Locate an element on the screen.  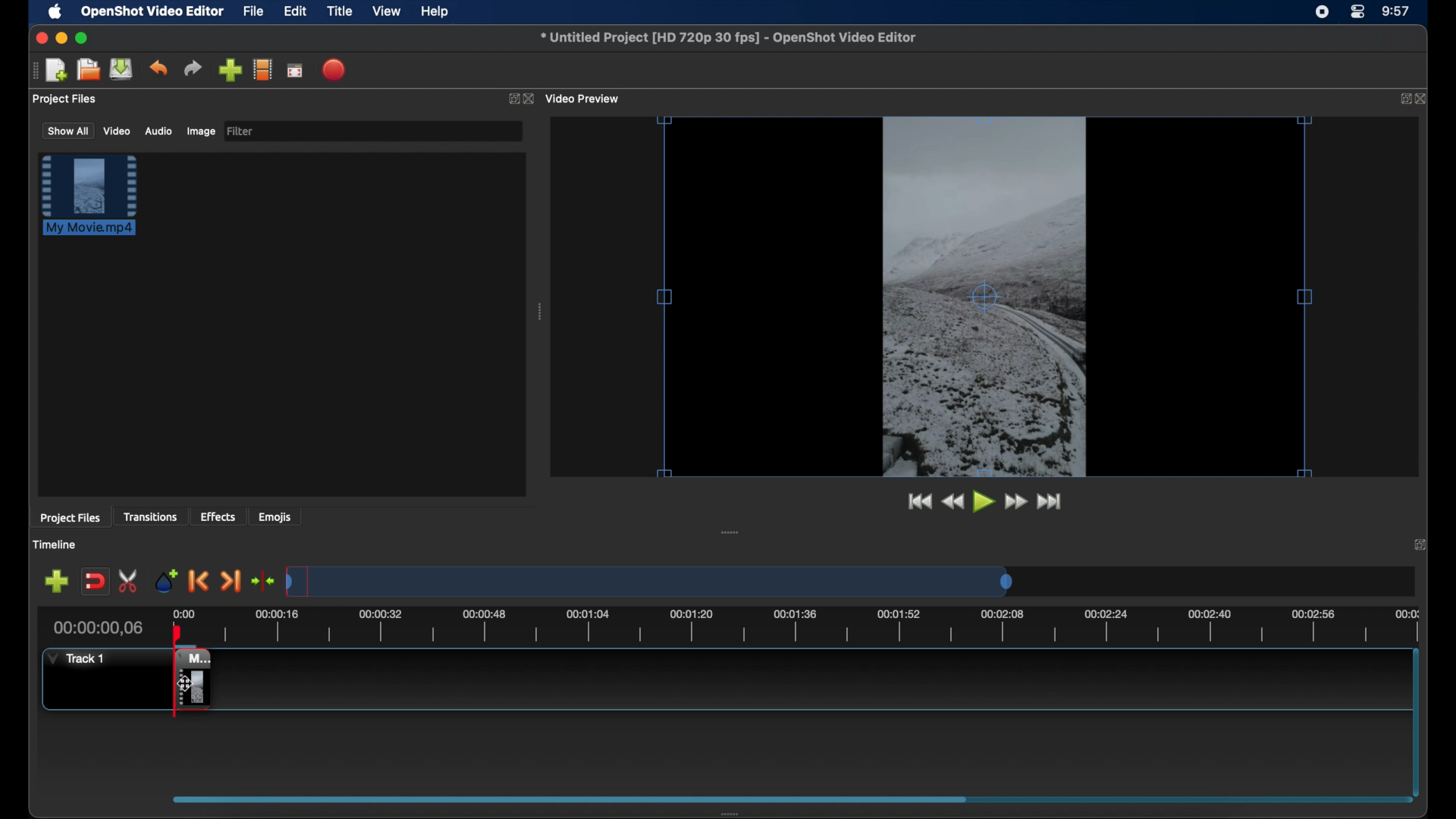
video preview is located at coordinates (584, 99).